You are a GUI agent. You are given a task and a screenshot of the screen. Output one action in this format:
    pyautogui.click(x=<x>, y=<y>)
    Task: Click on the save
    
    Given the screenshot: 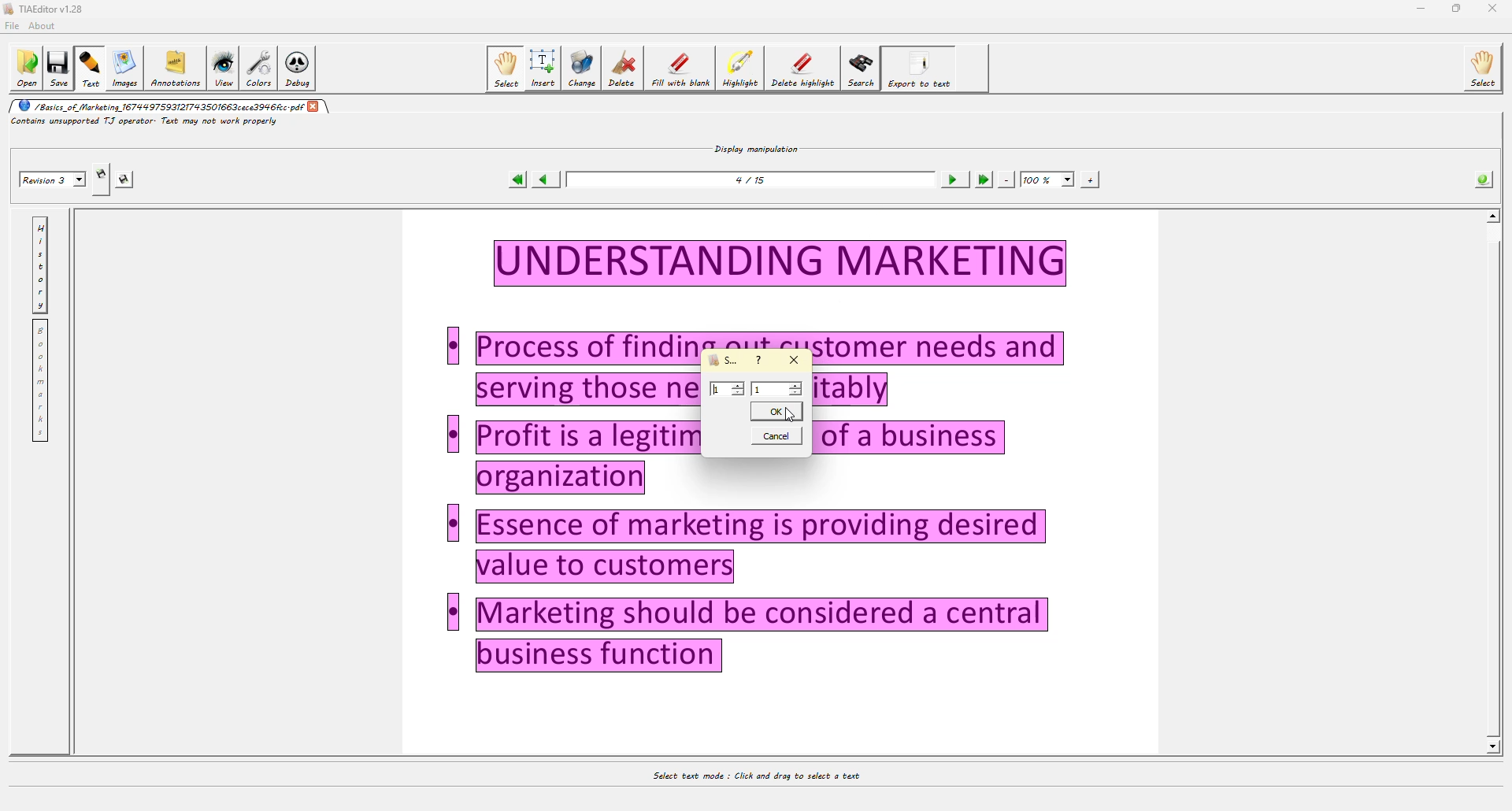 What is the action you would take?
    pyautogui.click(x=58, y=69)
    